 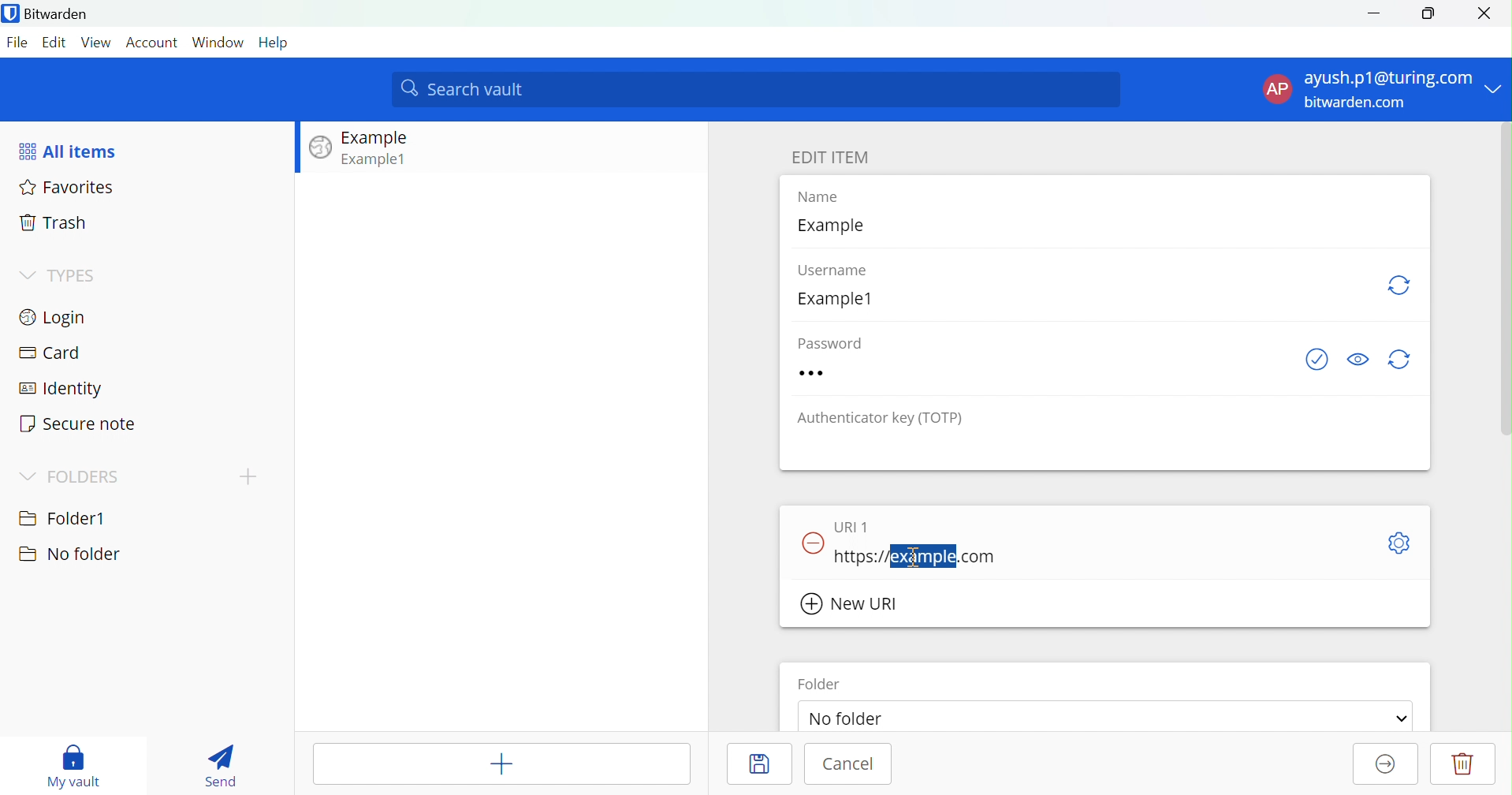 What do you see at coordinates (78, 424) in the screenshot?
I see `Secure note` at bounding box center [78, 424].